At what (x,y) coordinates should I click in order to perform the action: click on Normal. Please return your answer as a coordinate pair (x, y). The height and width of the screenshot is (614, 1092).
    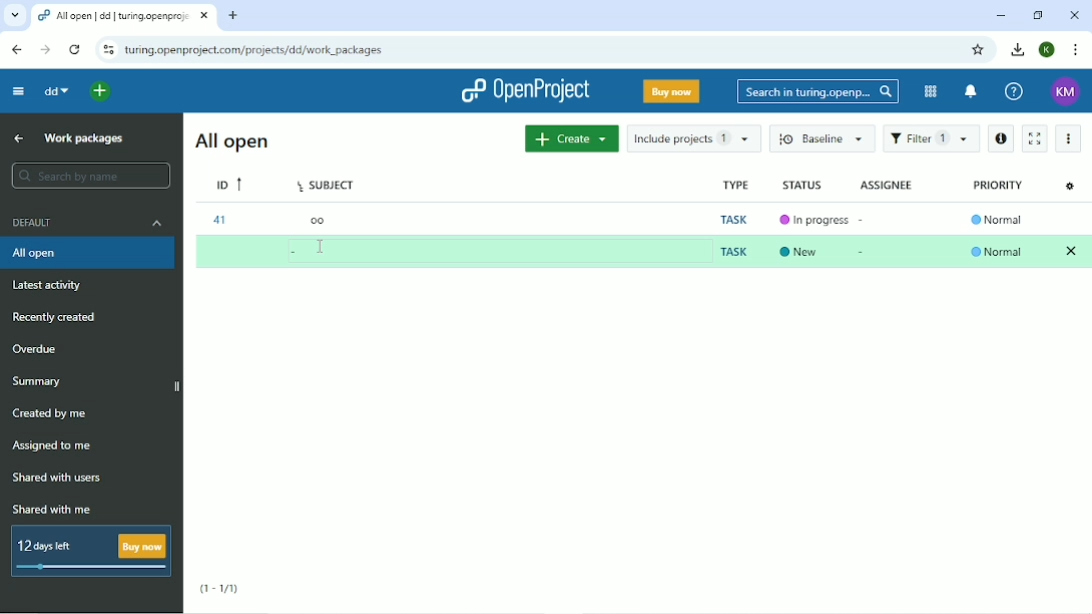
    Looking at the image, I should click on (998, 251).